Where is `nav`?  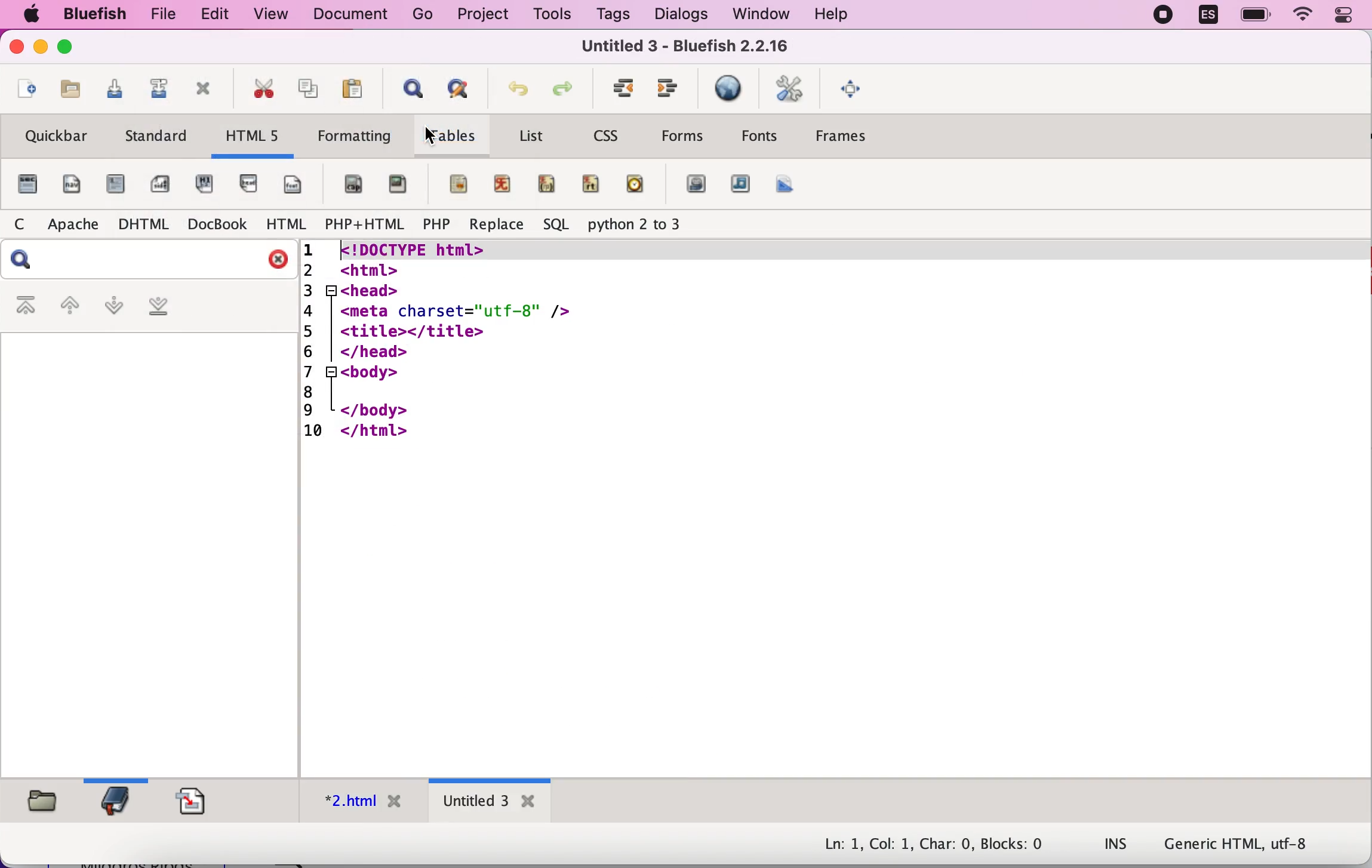 nav is located at coordinates (69, 184).